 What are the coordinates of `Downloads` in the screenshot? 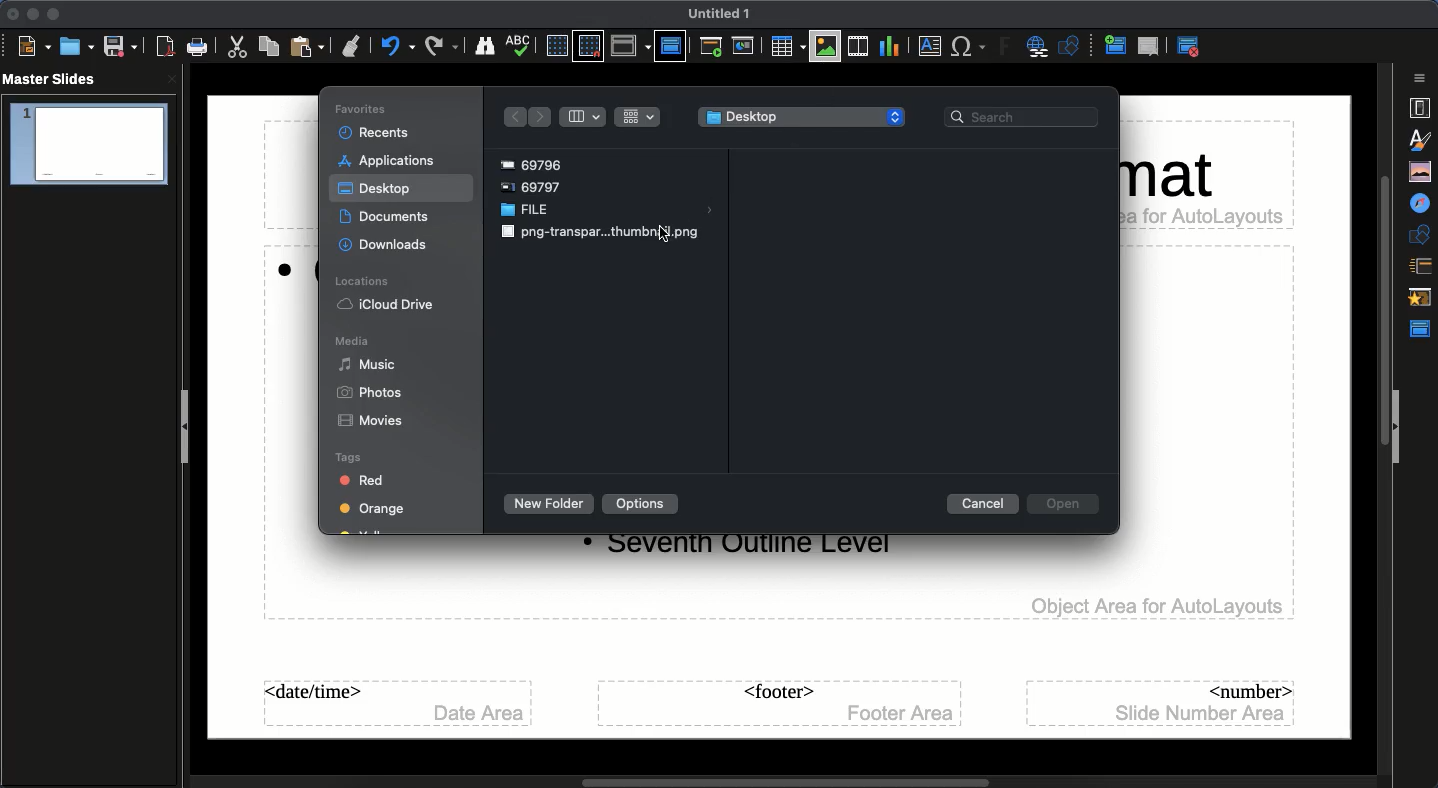 It's located at (385, 244).